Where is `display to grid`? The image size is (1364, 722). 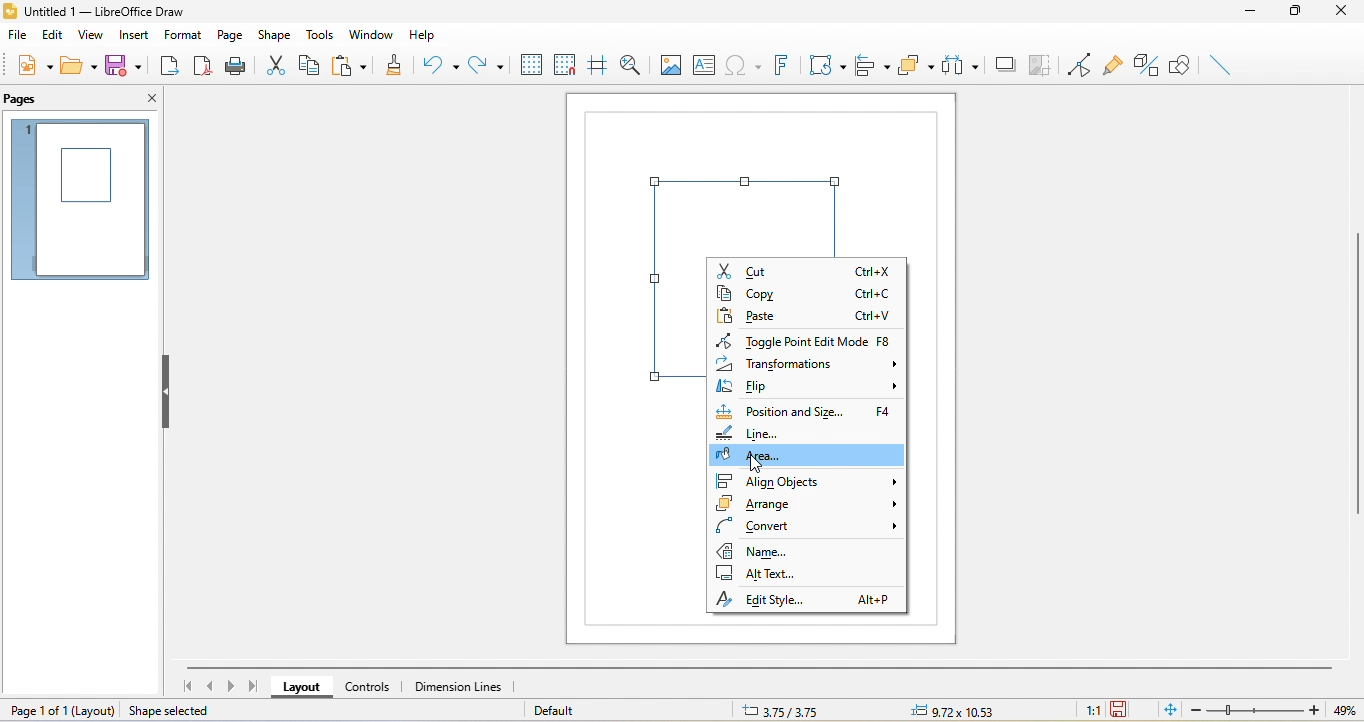 display to grid is located at coordinates (531, 65).